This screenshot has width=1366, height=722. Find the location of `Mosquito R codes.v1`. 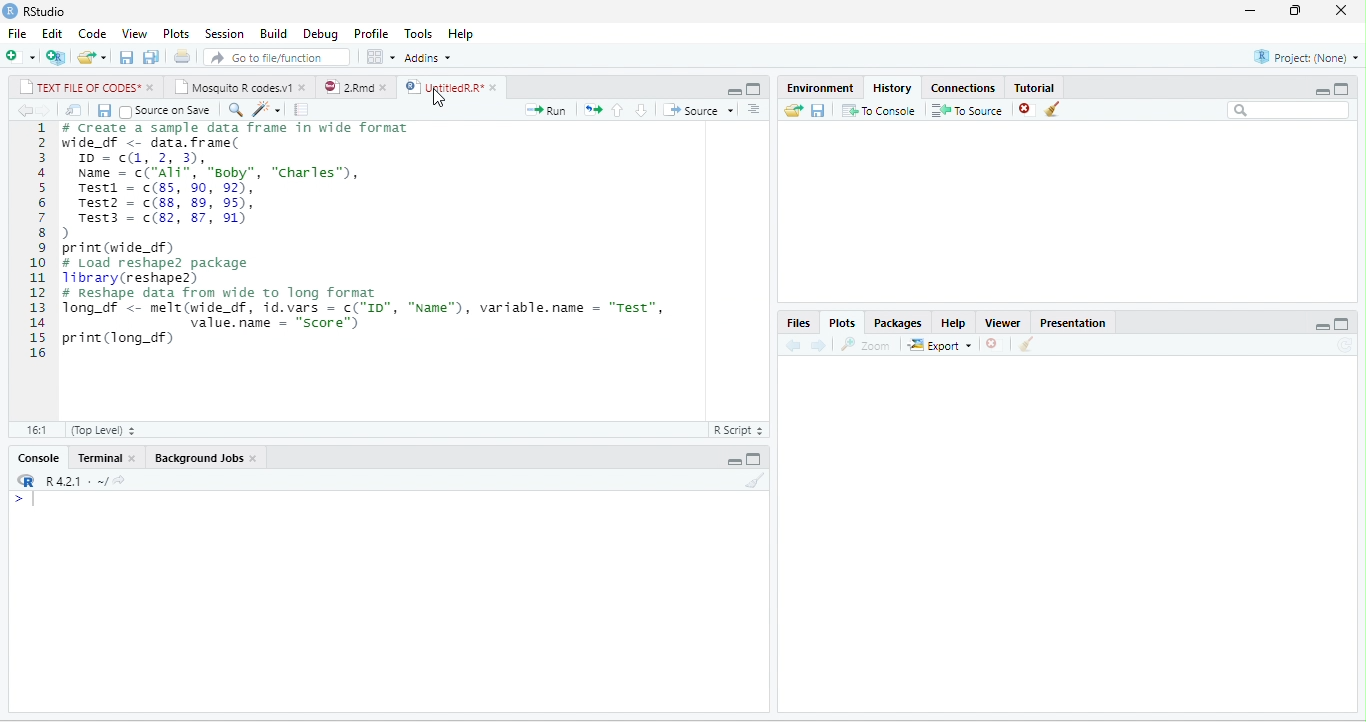

Mosquito R codes.v1 is located at coordinates (232, 86).